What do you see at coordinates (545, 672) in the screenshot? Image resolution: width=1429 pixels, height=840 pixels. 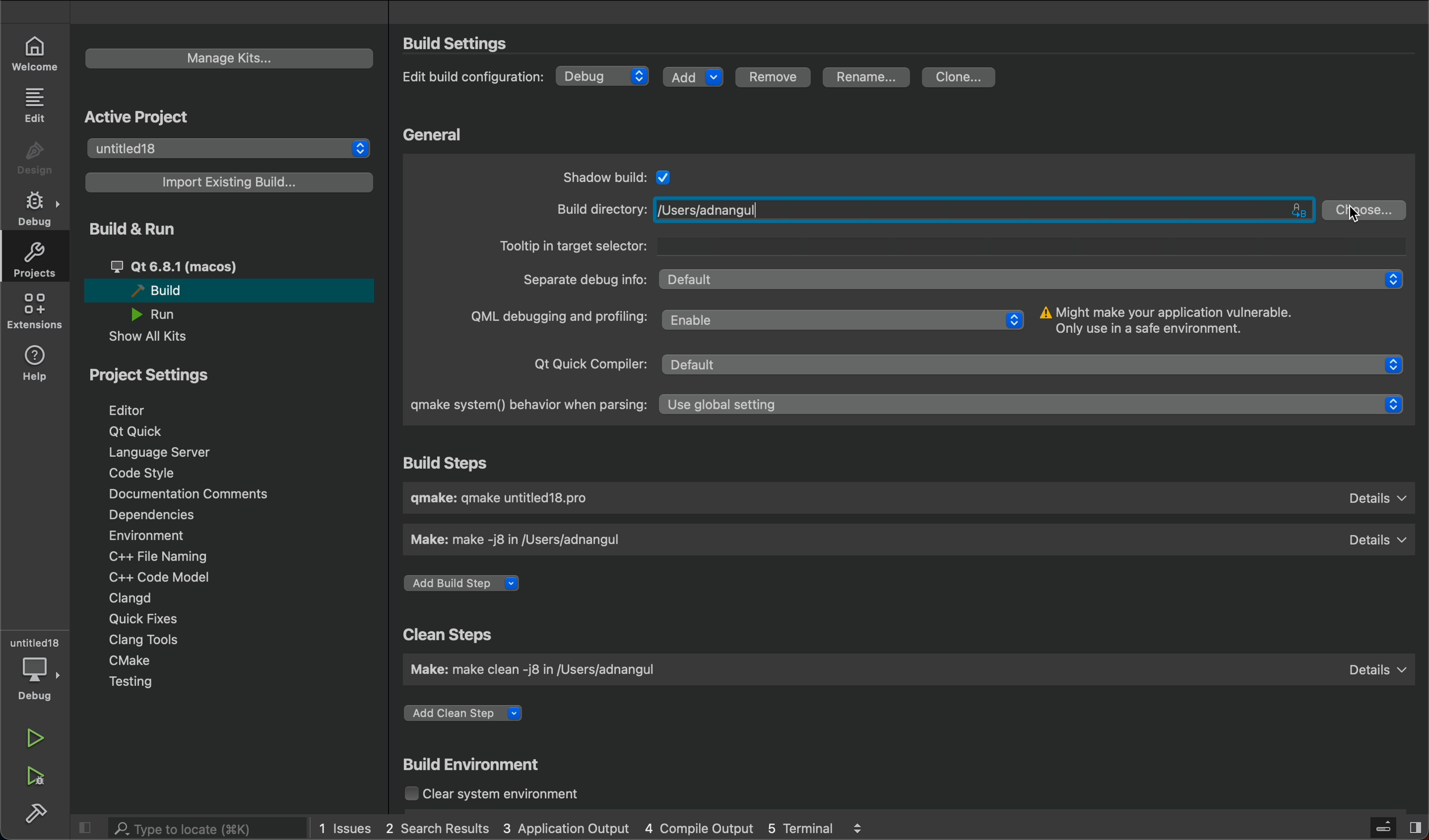 I see `Make: make clean -j8 in /Users/adnangul` at bounding box center [545, 672].